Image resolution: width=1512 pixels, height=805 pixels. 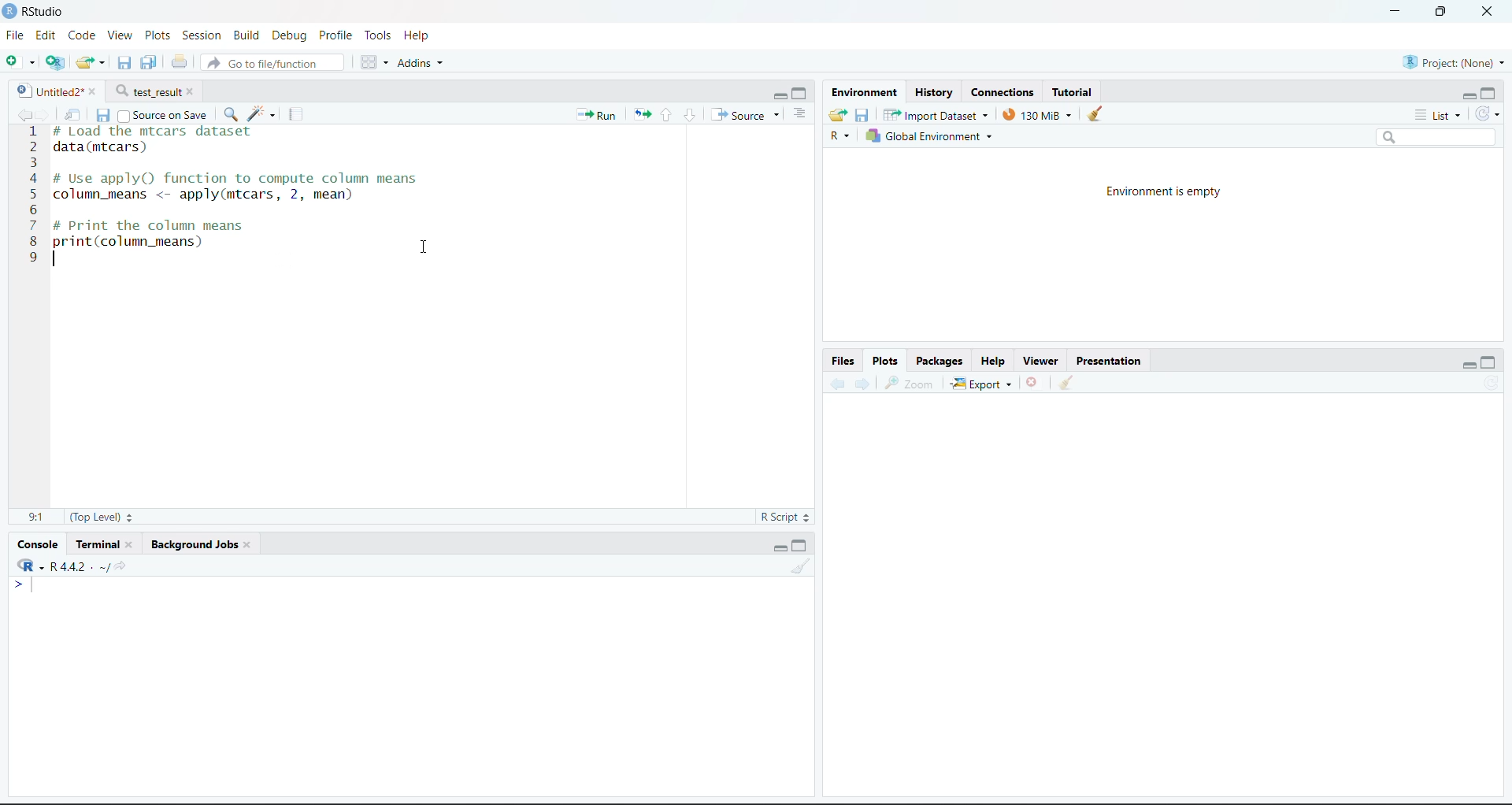 I want to click on Cursor, so click(x=428, y=248).